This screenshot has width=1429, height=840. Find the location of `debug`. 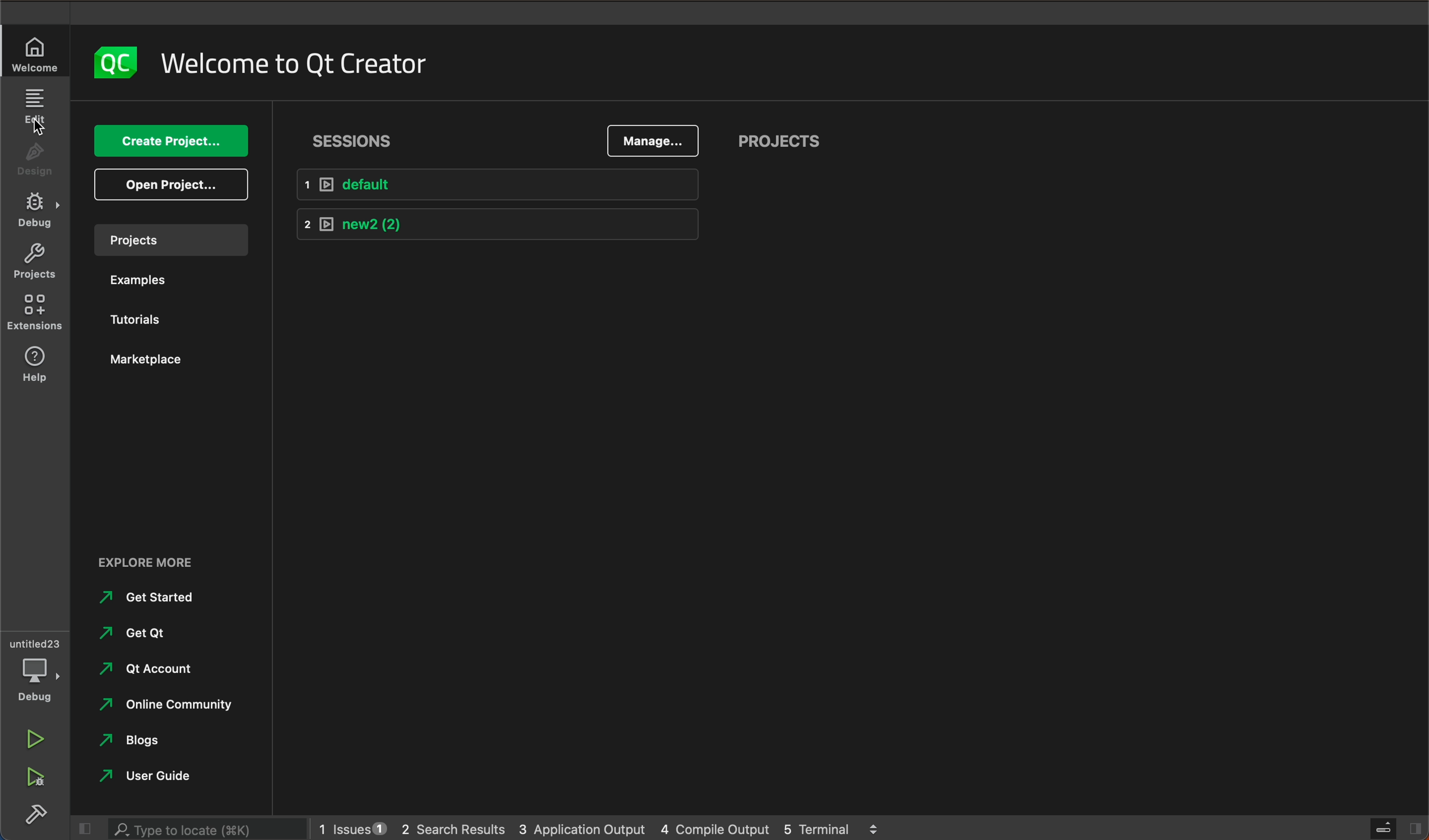

debug is located at coordinates (35, 213).